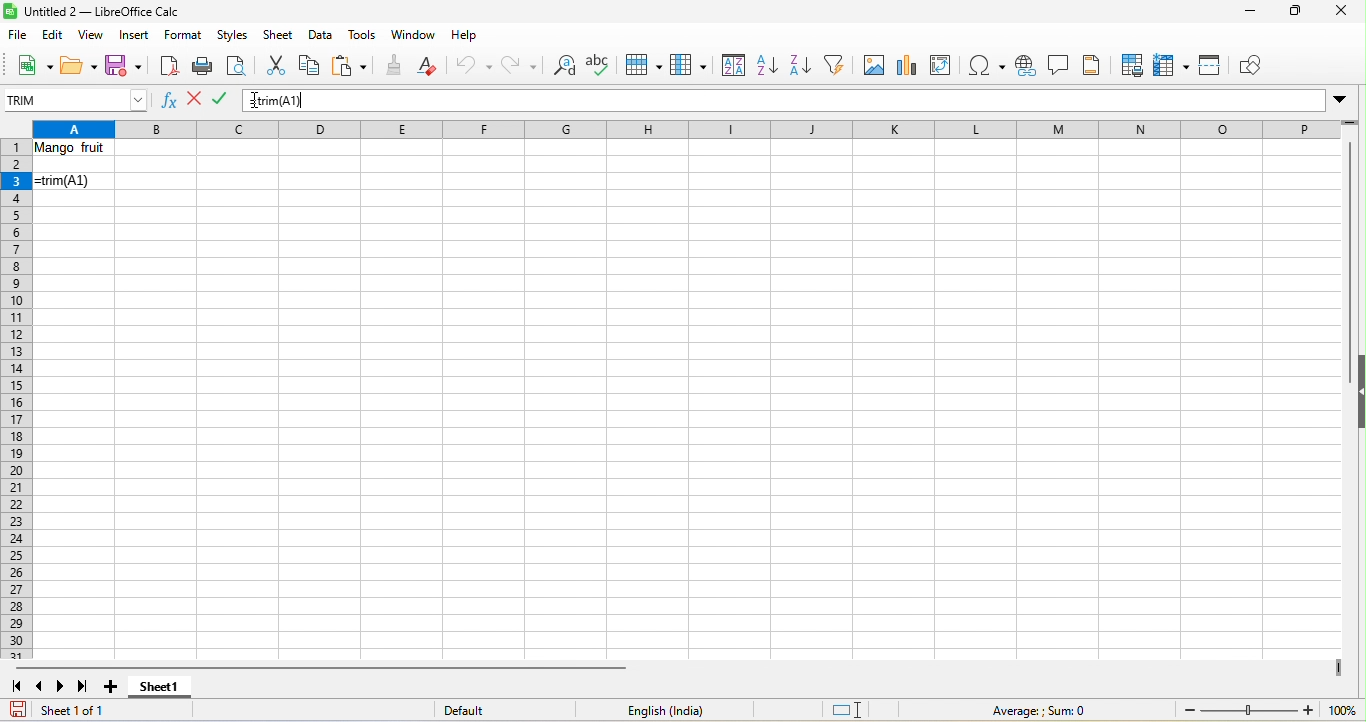  I want to click on export directly as pdf, so click(168, 64).